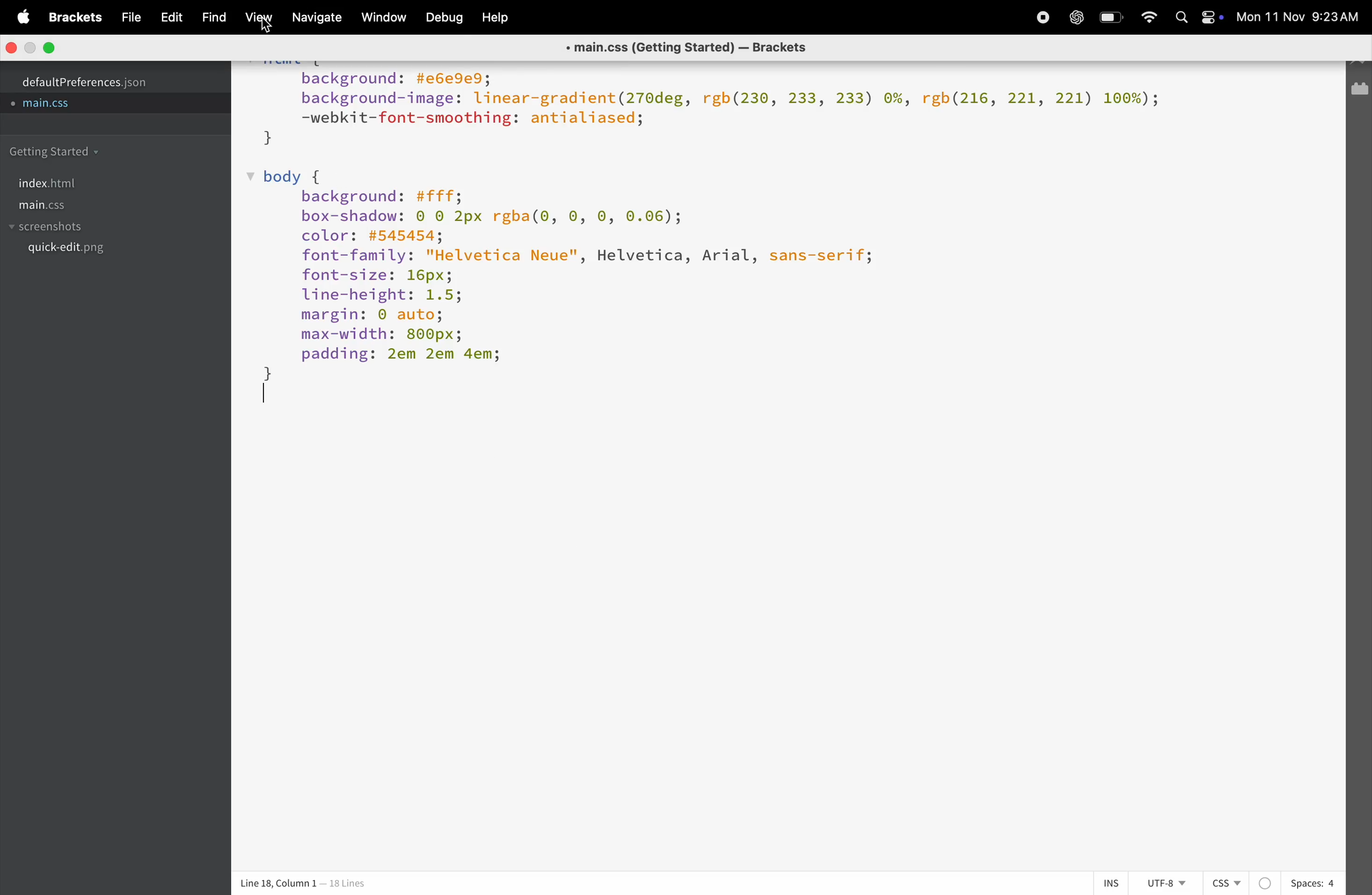 The width and height of the screenshot is (1372, 895). What do you see at coordinates (167, 16) in the screenshot?
I see `edit` at bounding box center [167, 16].